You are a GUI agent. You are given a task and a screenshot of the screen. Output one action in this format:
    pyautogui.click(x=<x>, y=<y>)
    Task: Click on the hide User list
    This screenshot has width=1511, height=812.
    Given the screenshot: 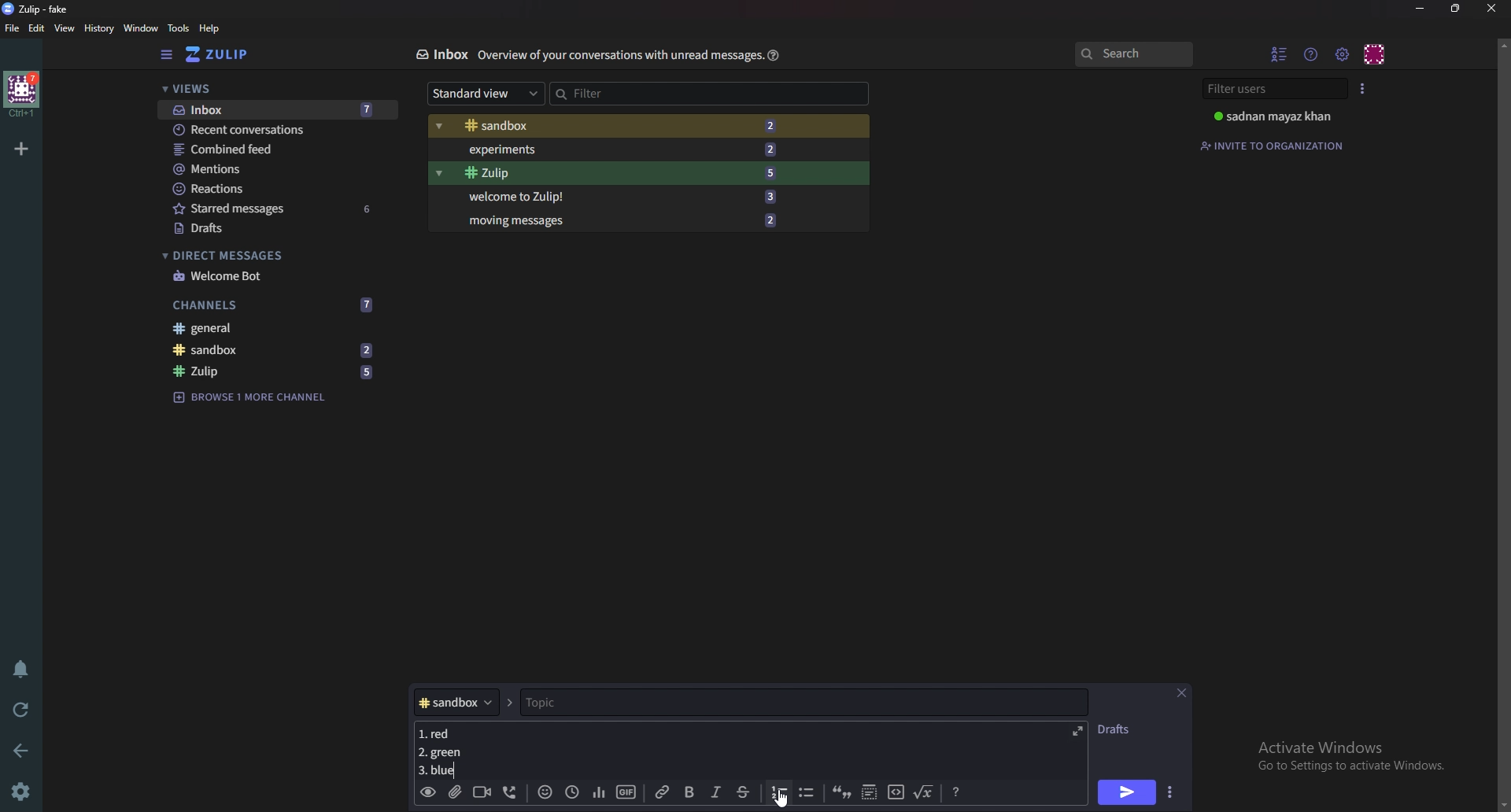 What is the action you would take?
    pyautogui.click(x=1280, y=54)
    